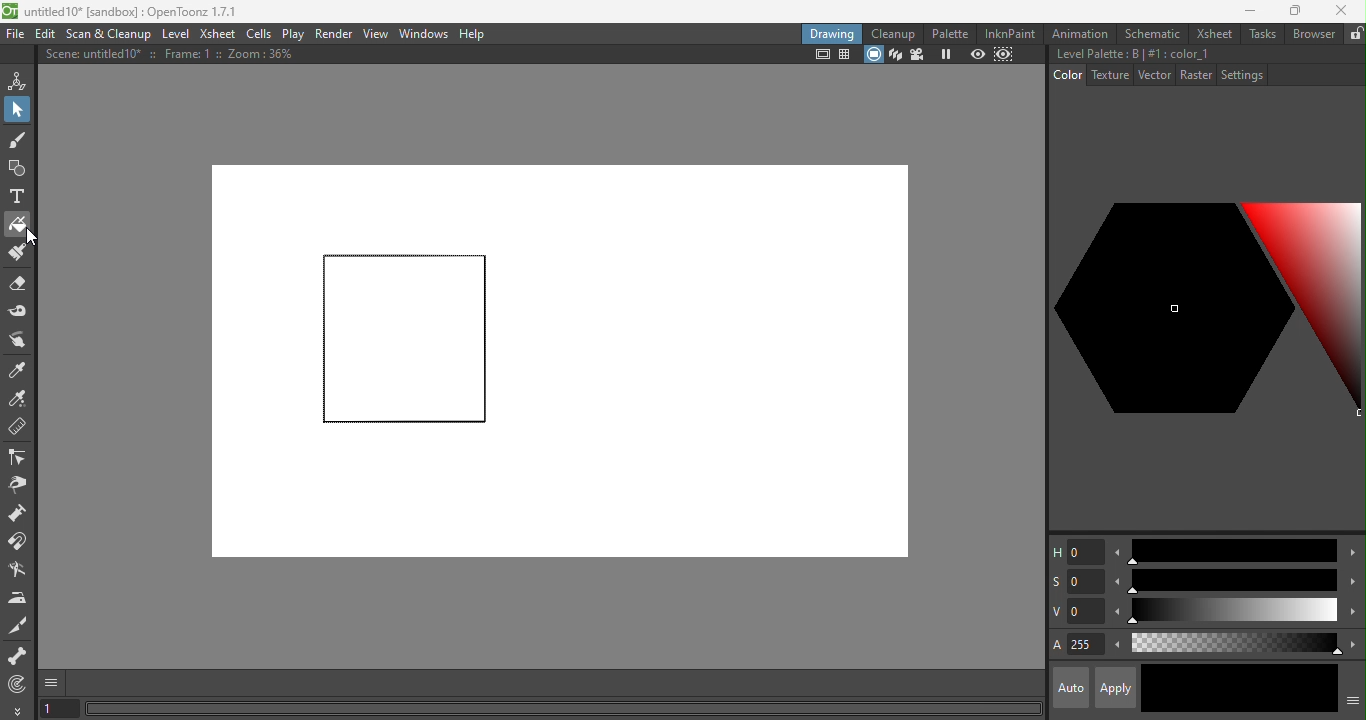 This screenshot has width=1366, height=720. Describe the element at coordinates (424, 32) in the screenshot. I see `Windows` at that location.